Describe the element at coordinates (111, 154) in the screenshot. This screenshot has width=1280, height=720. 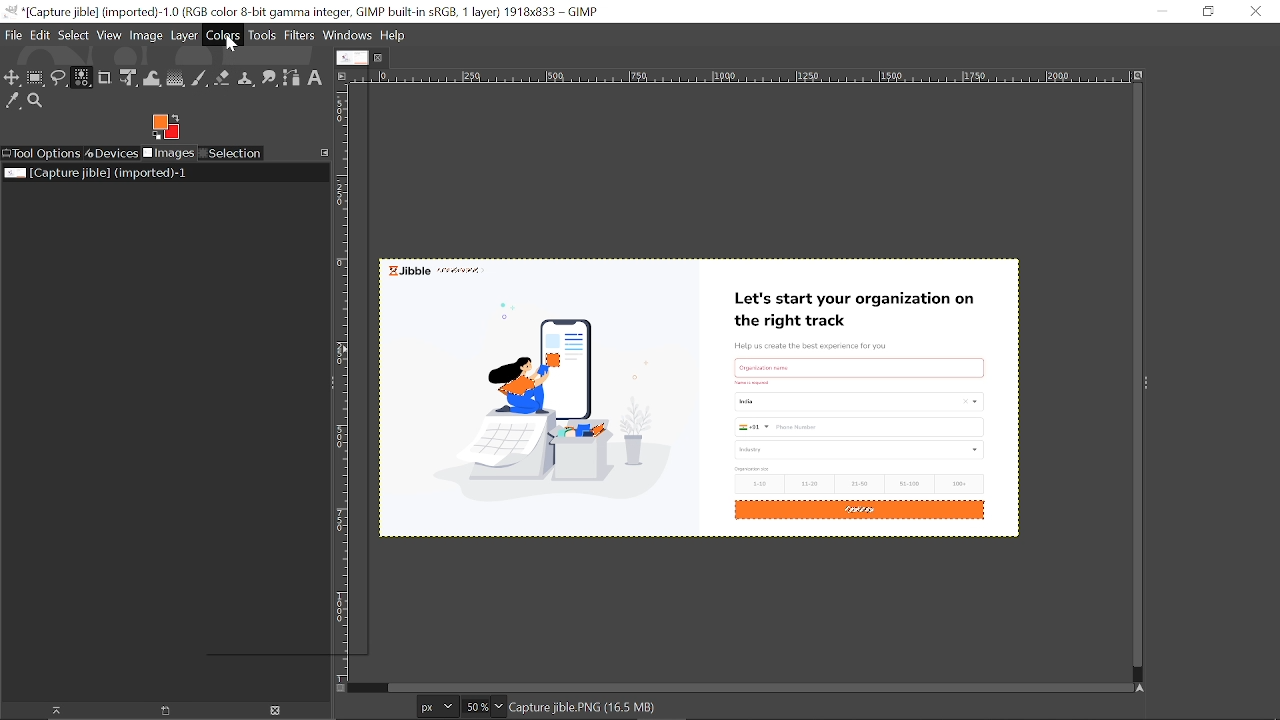
I see `Devices` at that location.